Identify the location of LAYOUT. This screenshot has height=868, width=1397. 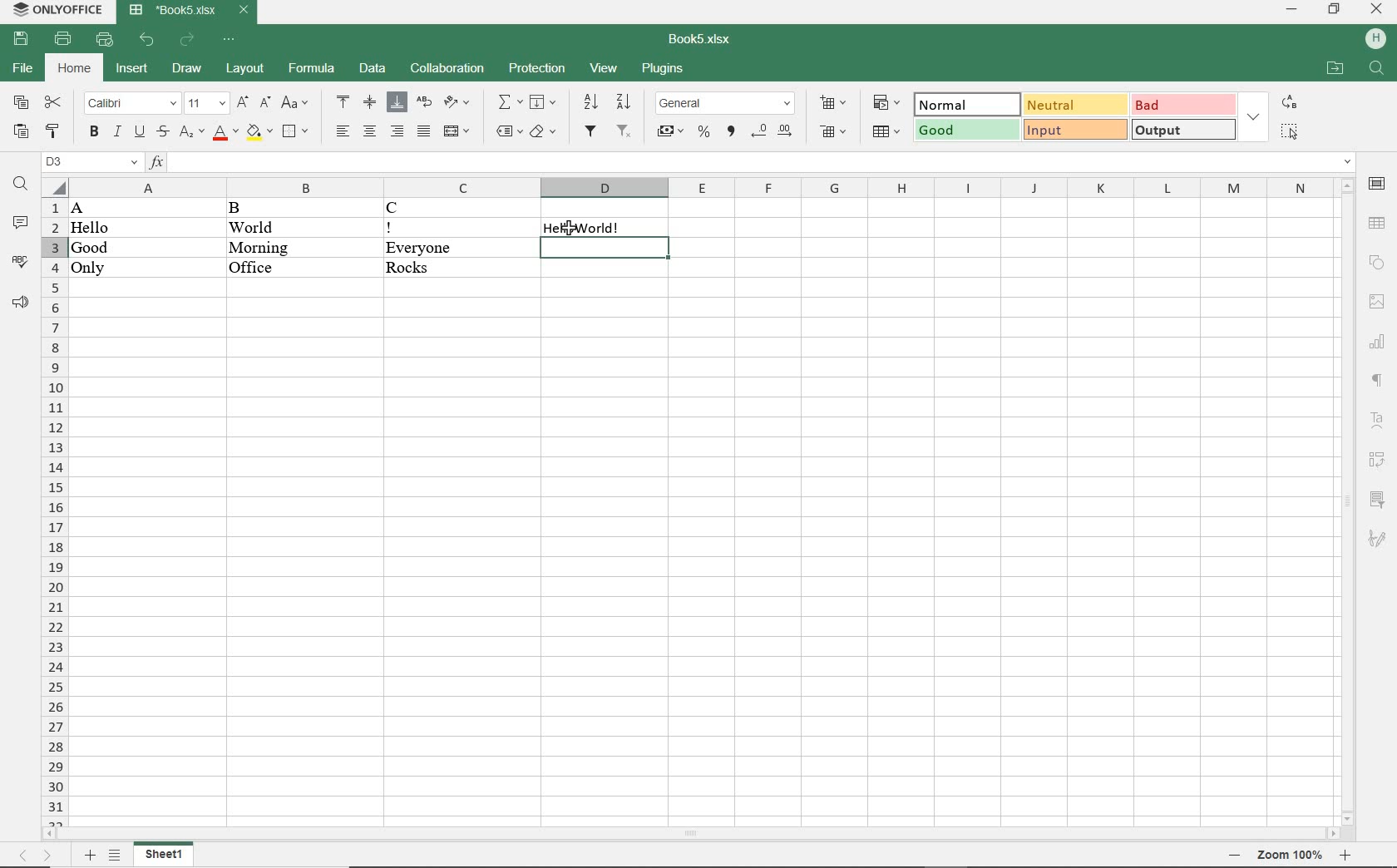
(247, 69).